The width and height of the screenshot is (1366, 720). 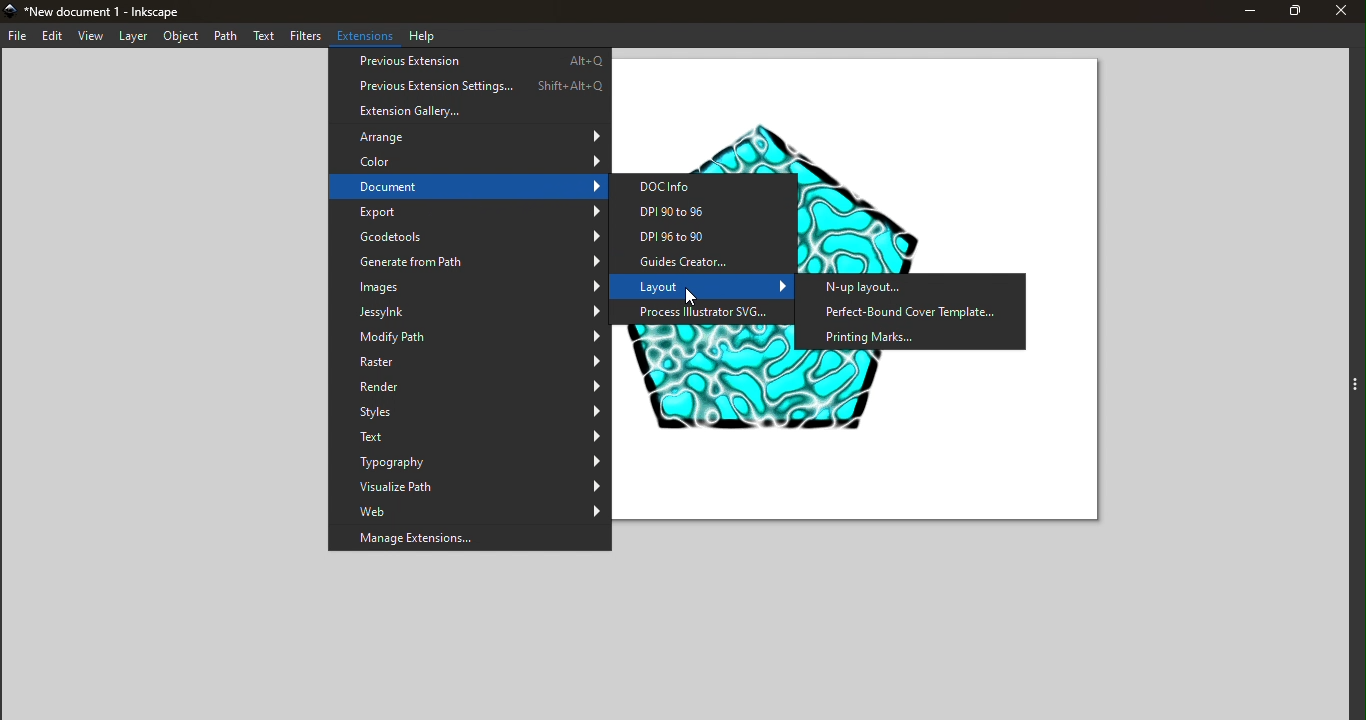 What do you see at coordinates (469, 160) in the screenshot?
I see `Color` at bounding box center [469, 160].